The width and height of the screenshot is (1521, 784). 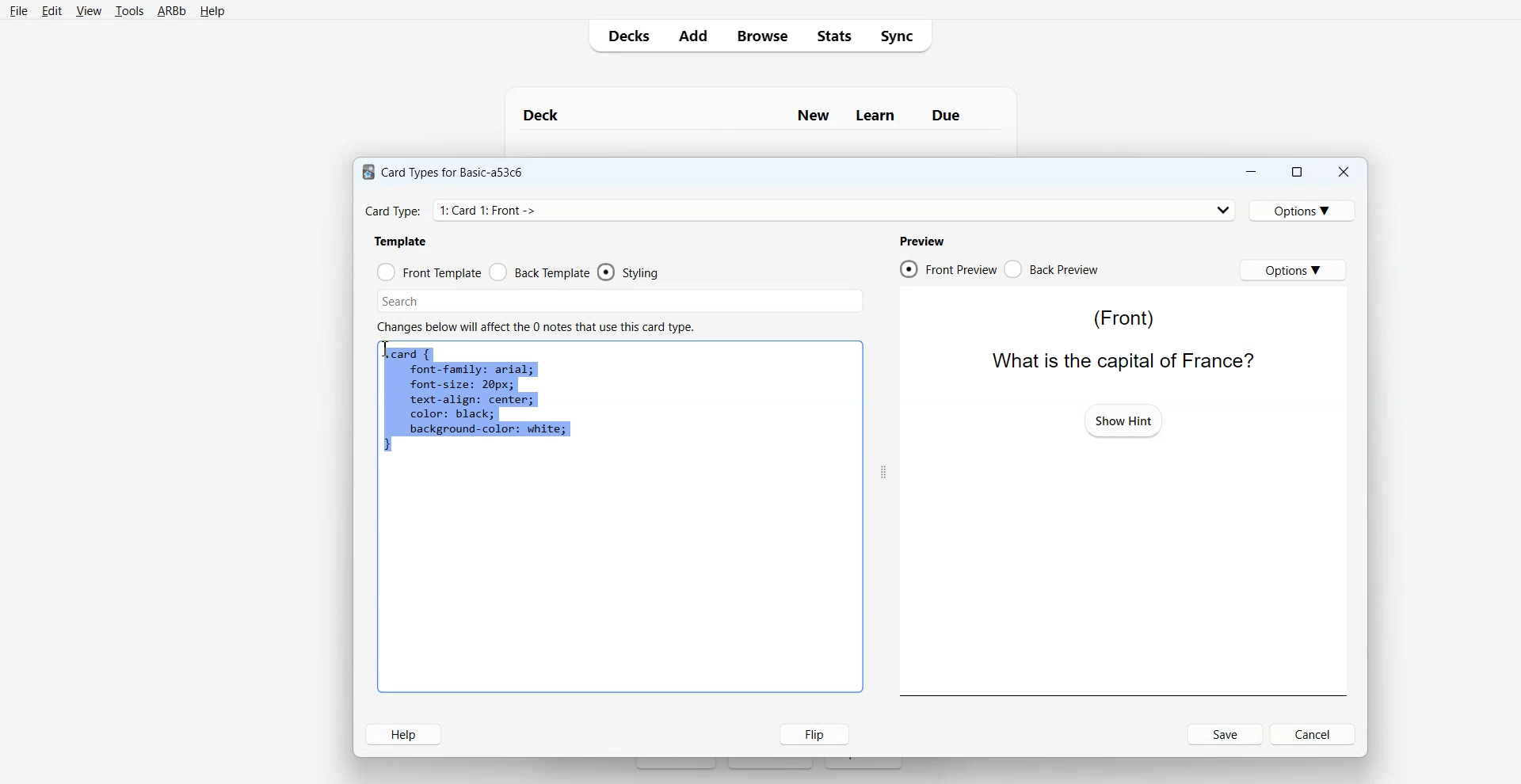 I want to click on Flip, so click(x=810, y=733).